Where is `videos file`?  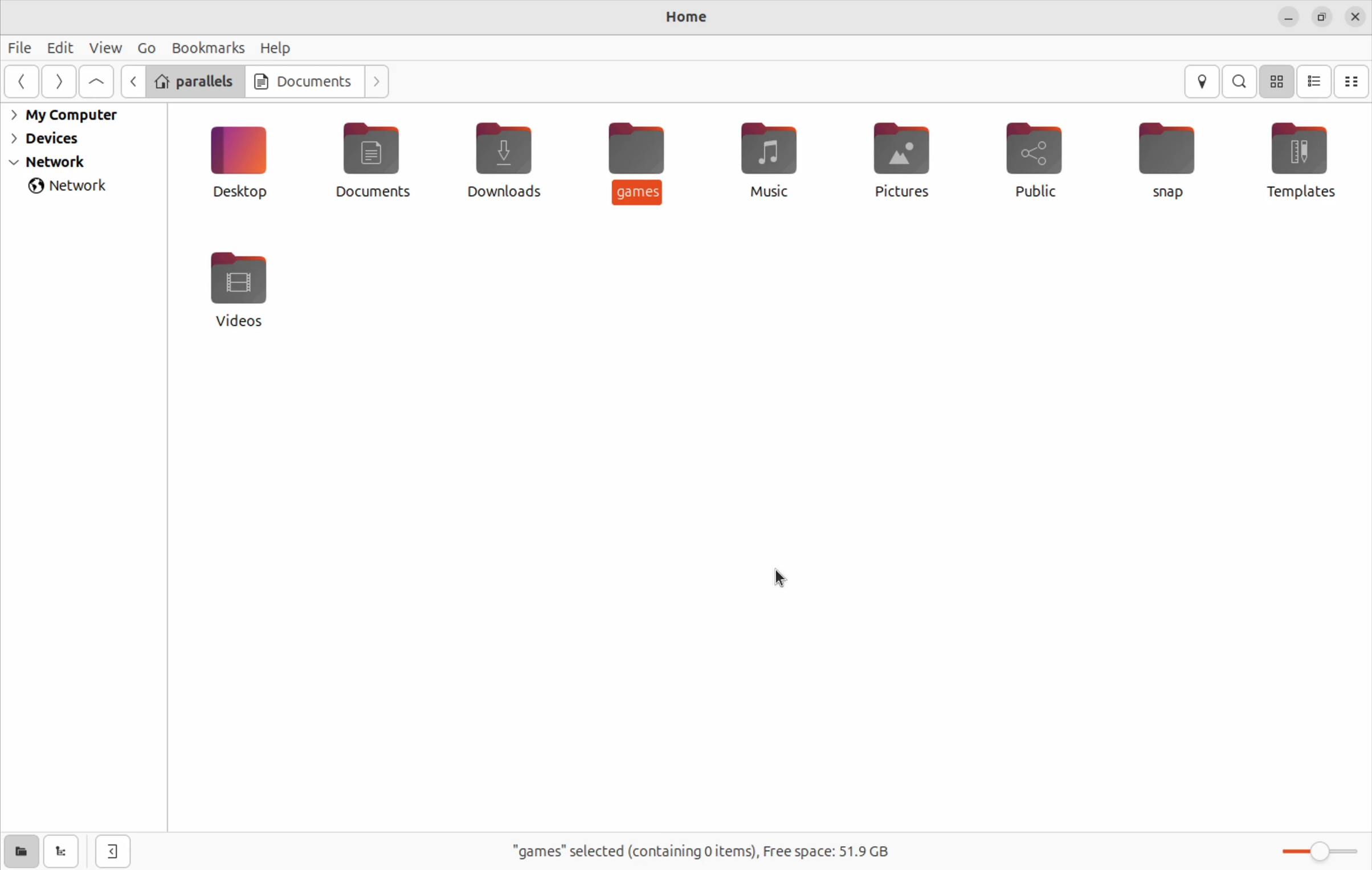
videos file is located at coordinates (237, 289).